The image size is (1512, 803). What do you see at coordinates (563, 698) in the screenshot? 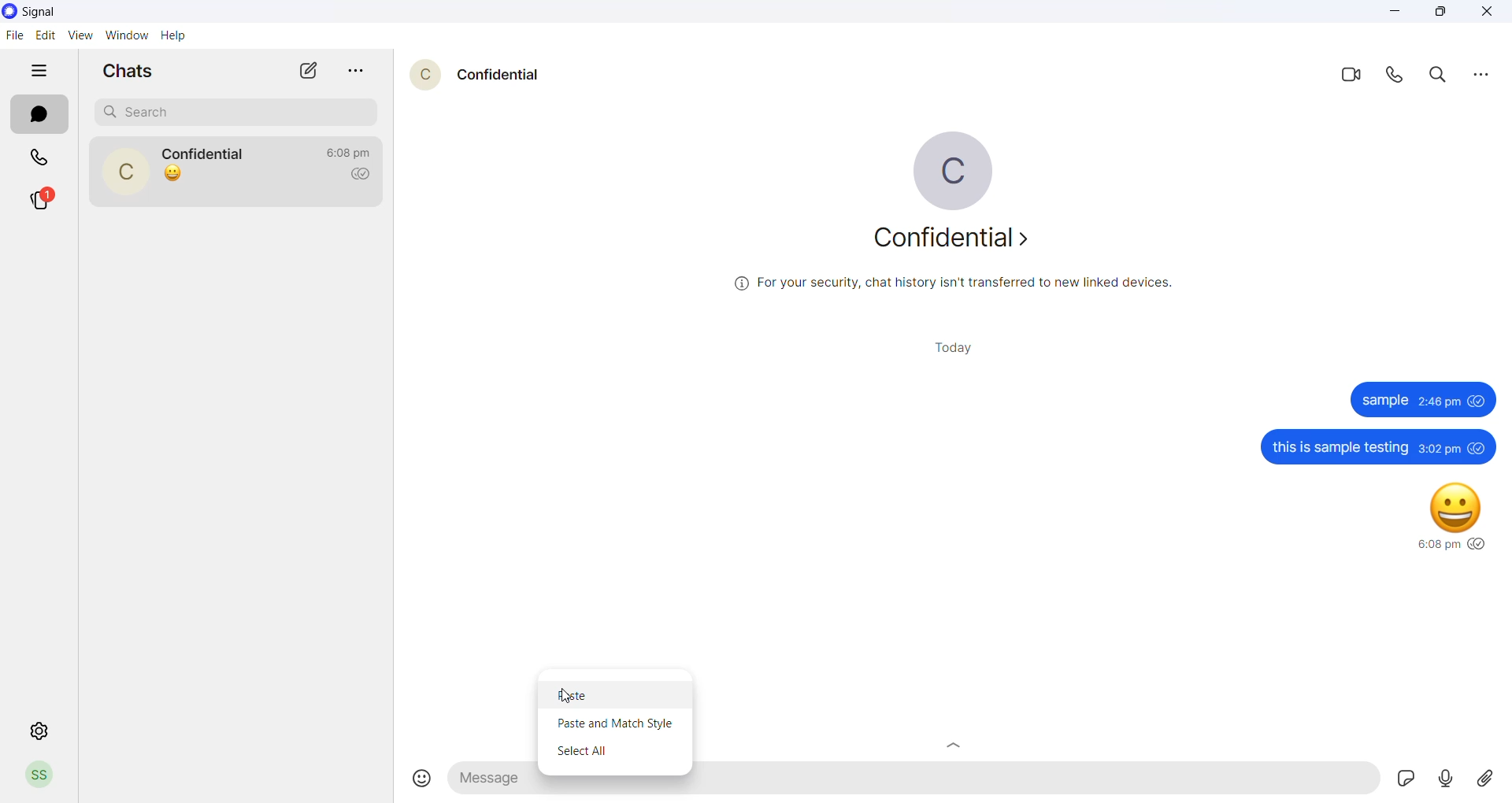
I see `cursor` at bounding box center [563, 698].